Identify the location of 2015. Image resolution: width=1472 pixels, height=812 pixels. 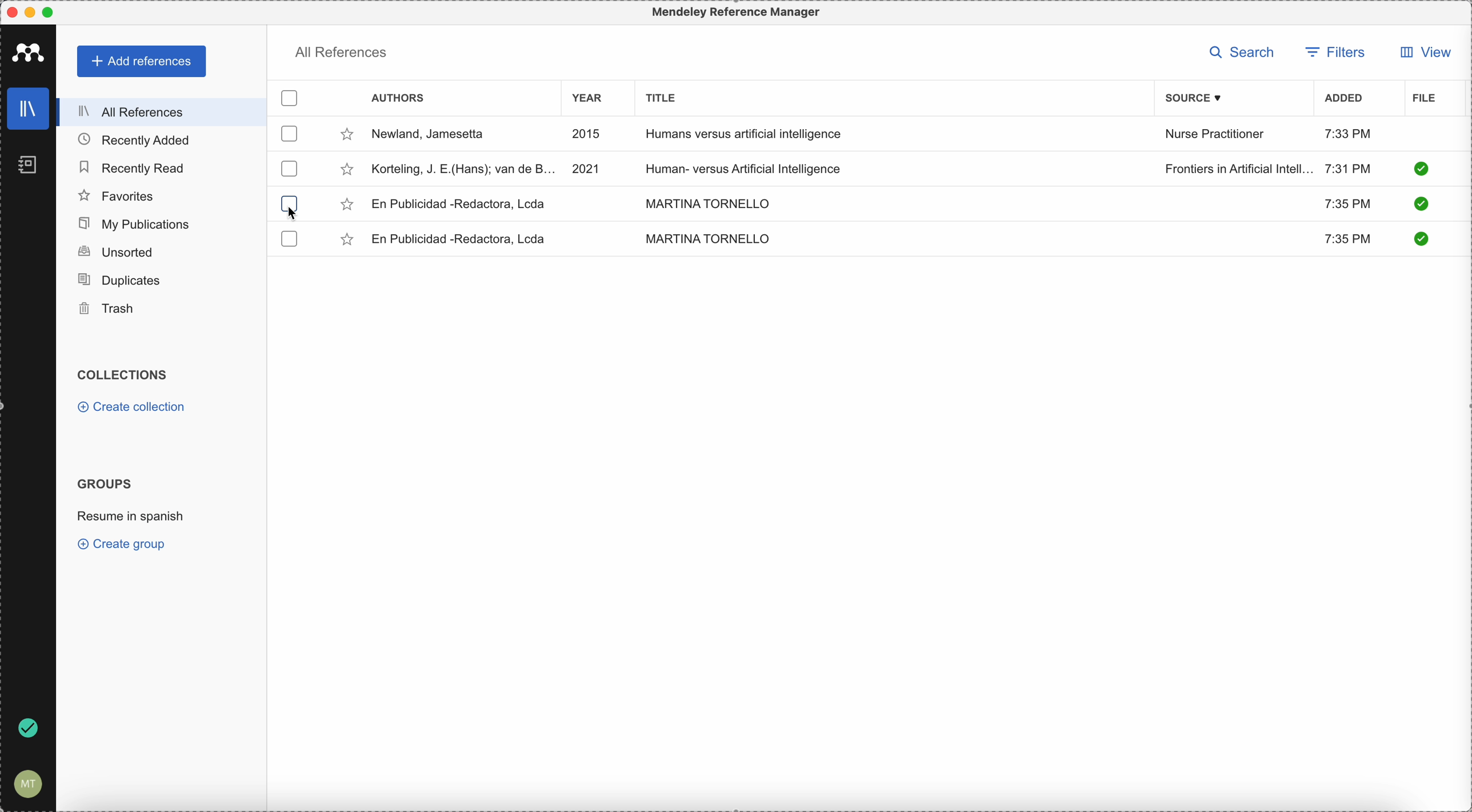
(589, 135).